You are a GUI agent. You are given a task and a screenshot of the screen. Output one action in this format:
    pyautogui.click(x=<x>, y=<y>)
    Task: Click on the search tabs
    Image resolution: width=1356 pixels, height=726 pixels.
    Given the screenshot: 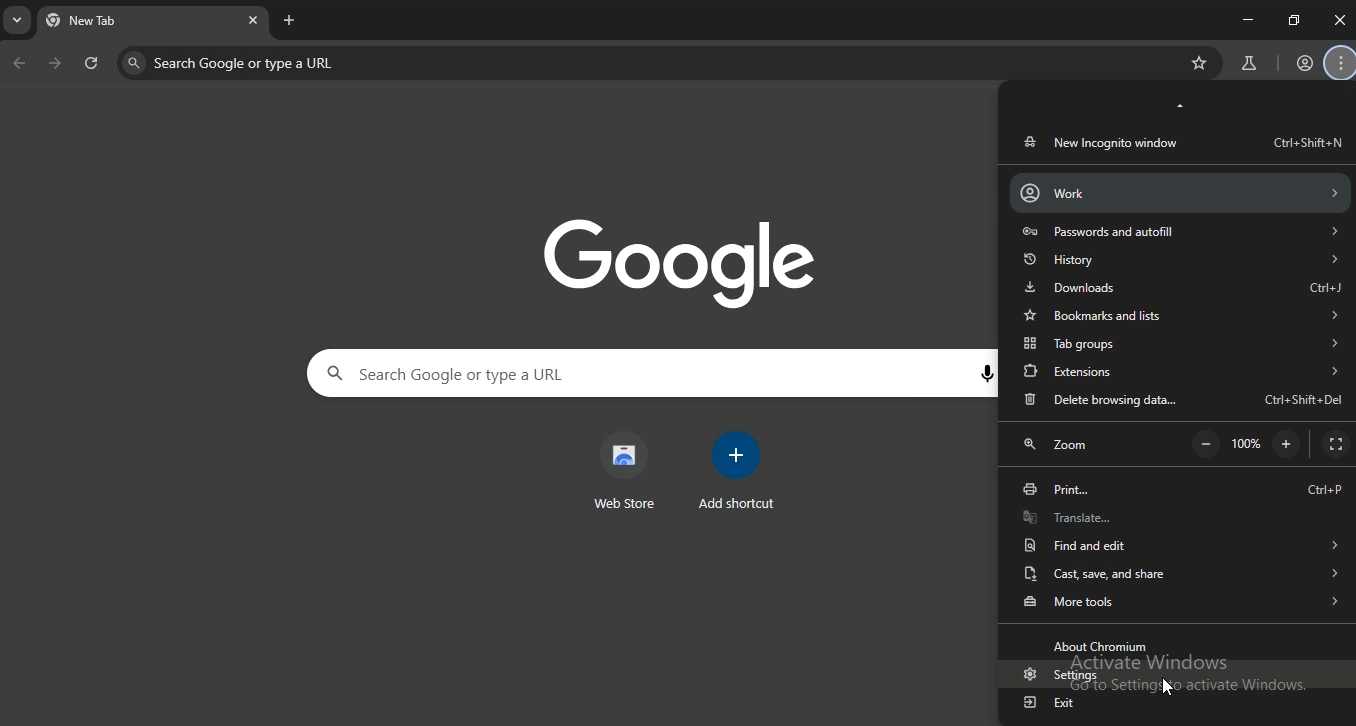 What is the action you would take?
    pyautogui.click(x=19, y=23)
    